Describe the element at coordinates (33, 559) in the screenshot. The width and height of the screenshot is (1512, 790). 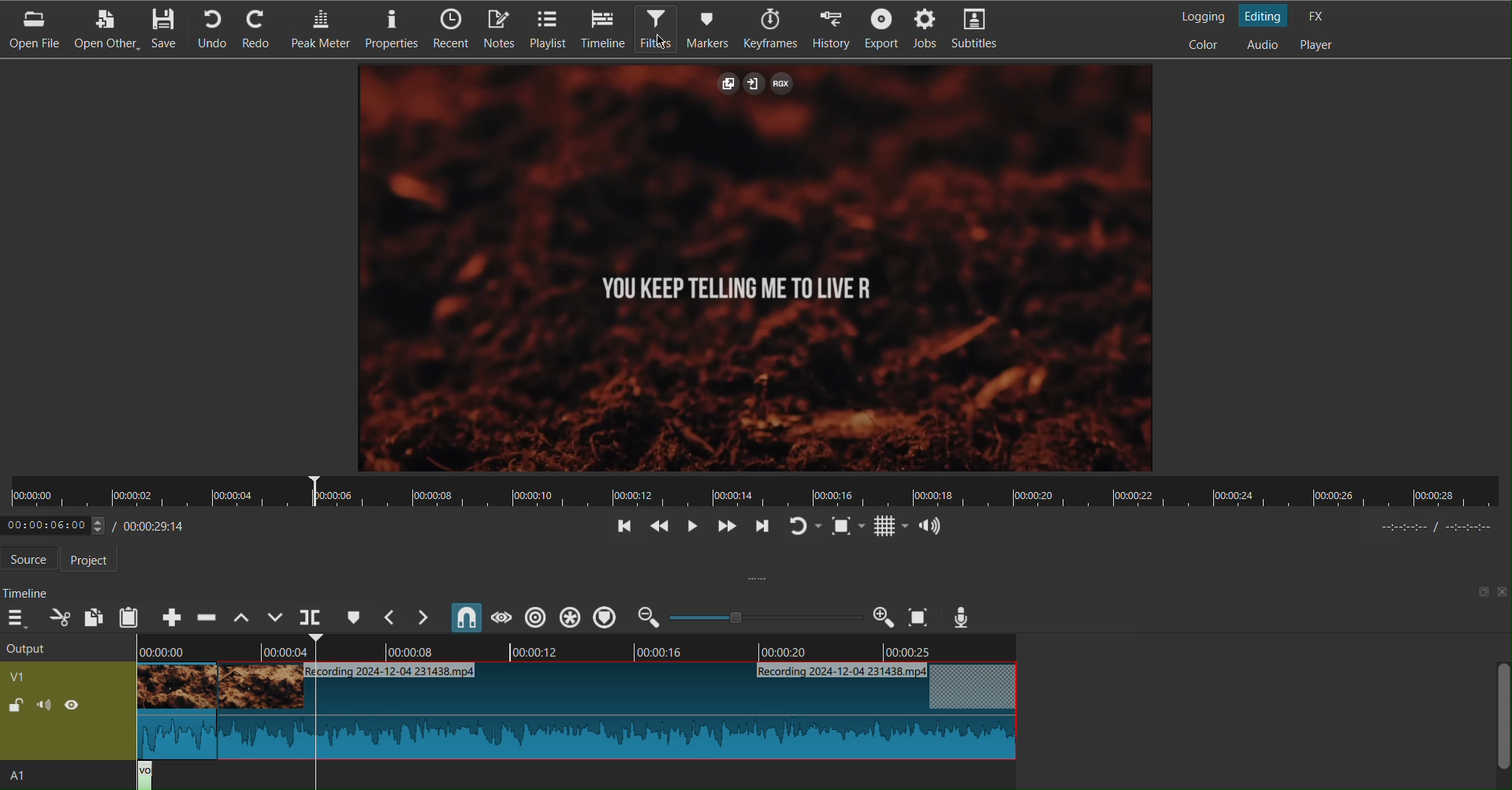
I see `Source` at that location.